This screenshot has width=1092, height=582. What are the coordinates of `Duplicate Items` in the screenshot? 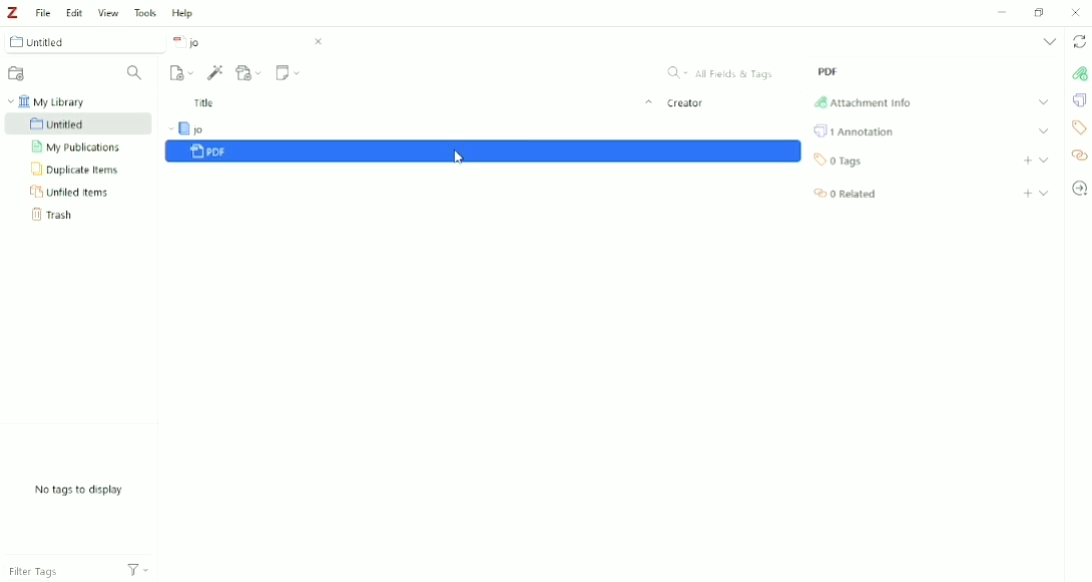 It's located at (76, 169).